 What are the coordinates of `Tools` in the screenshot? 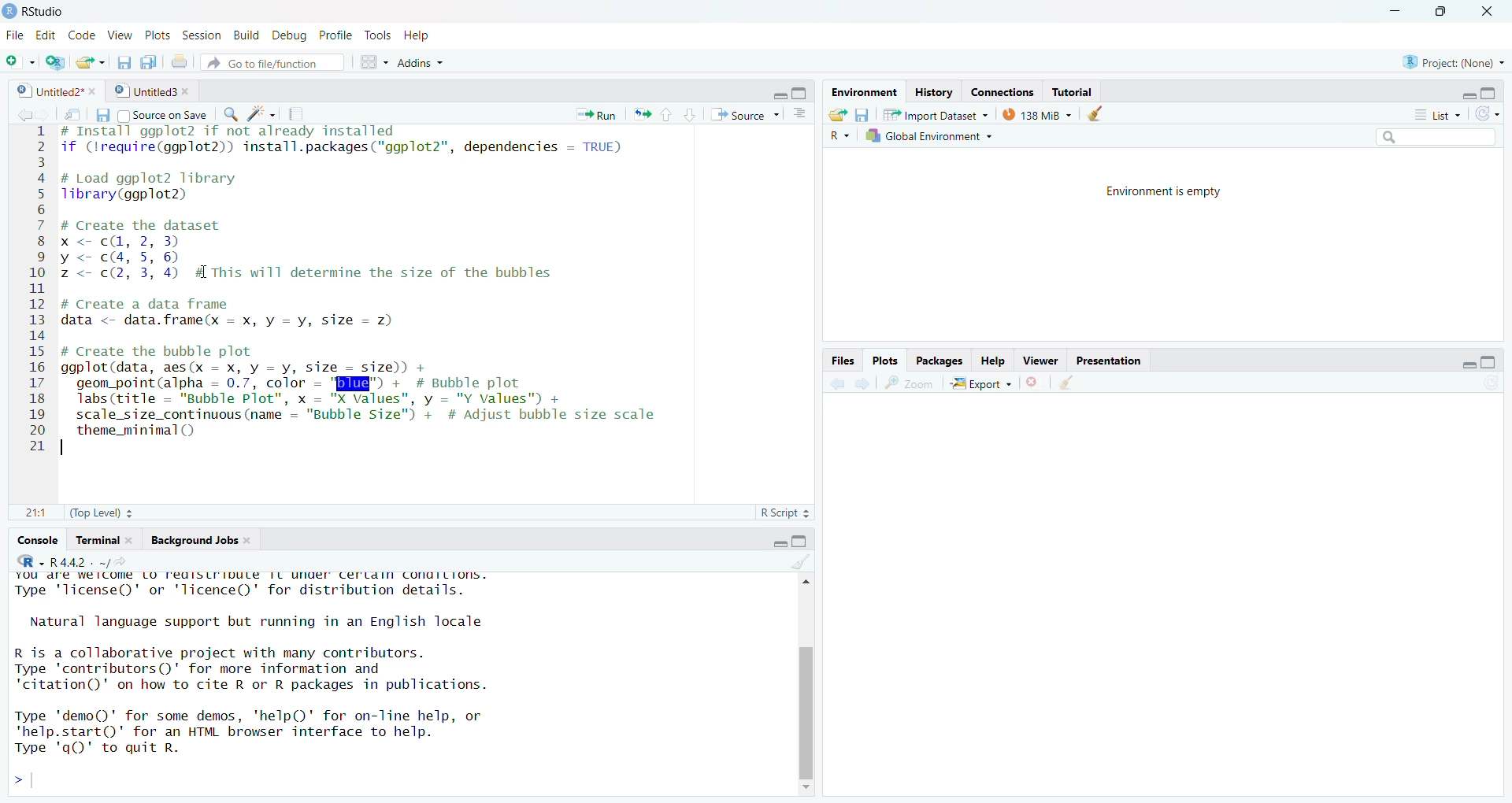 It's located at (375, 35).